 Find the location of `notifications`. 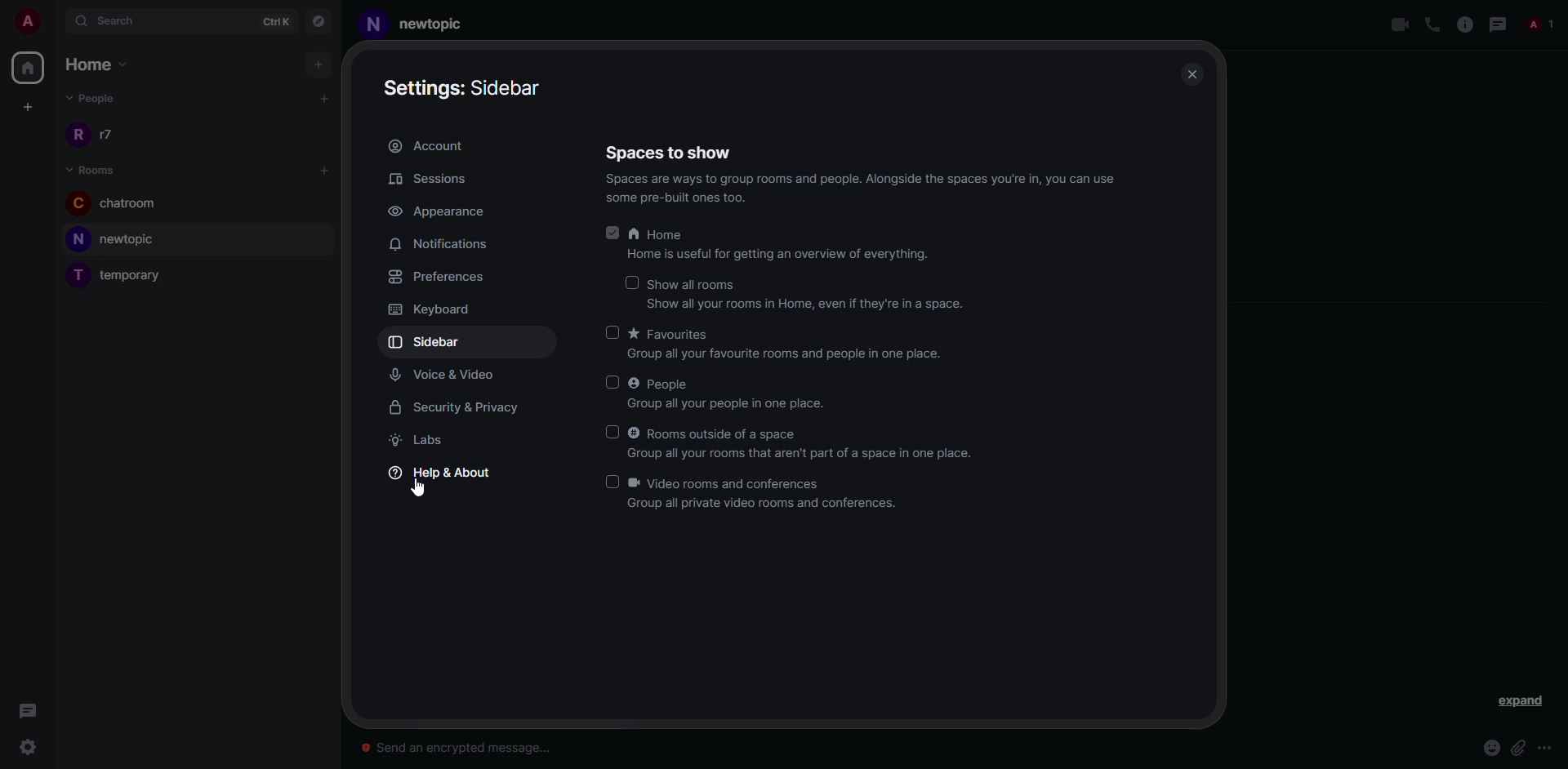

notifications is located at coordinates (443, 243).